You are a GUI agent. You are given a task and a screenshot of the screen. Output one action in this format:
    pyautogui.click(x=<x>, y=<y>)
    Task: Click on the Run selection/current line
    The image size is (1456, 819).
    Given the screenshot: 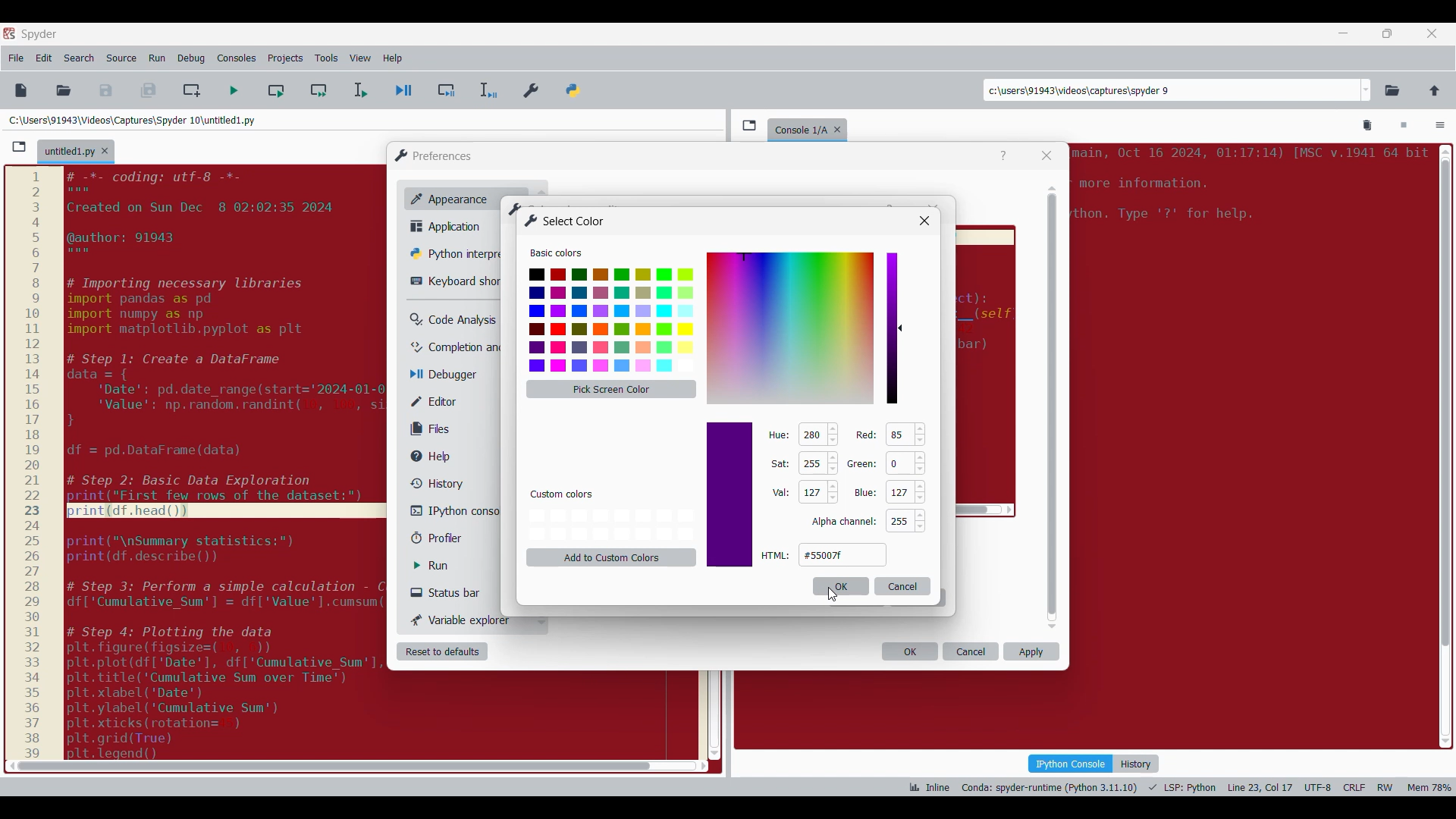 What is the action you would take?
    pyautogui.click(x=359, y=90)
    